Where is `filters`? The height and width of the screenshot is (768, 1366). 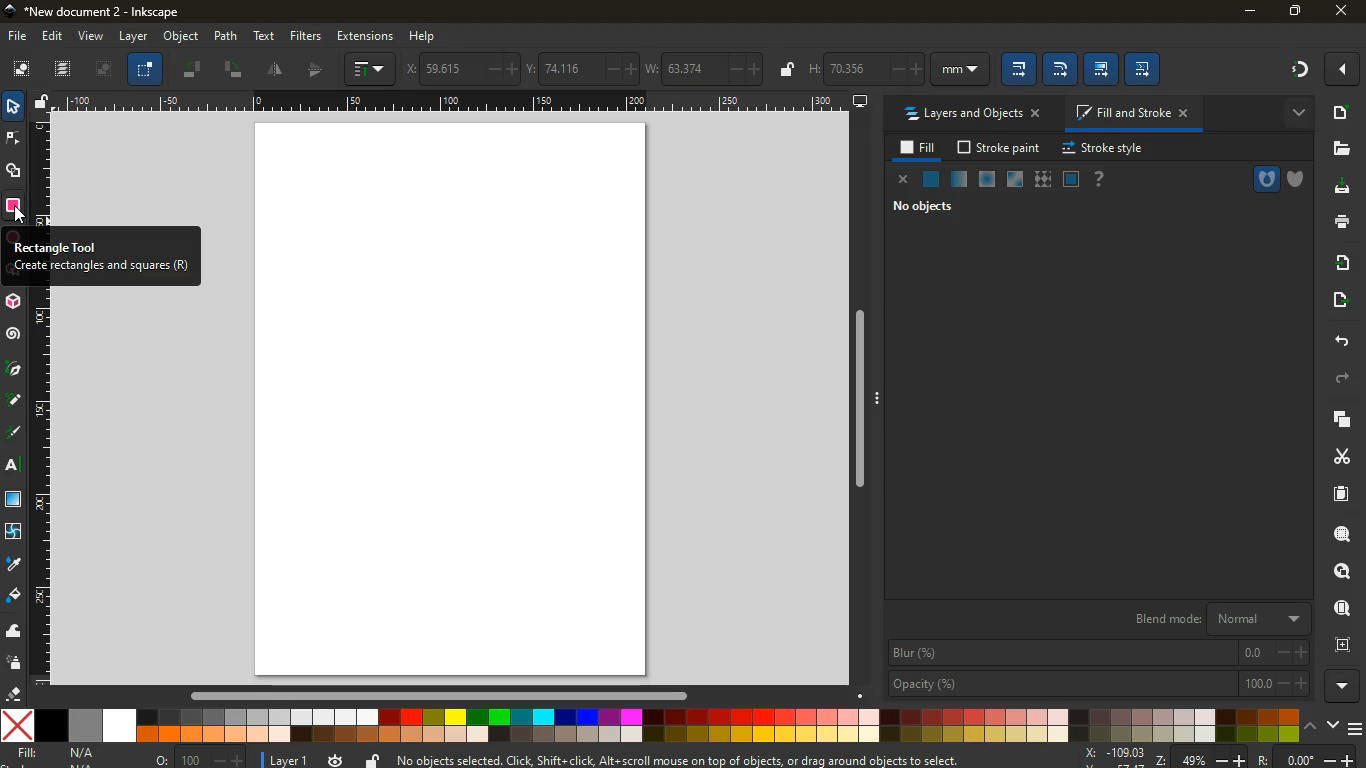
filters is located at coordinates (306, 37).